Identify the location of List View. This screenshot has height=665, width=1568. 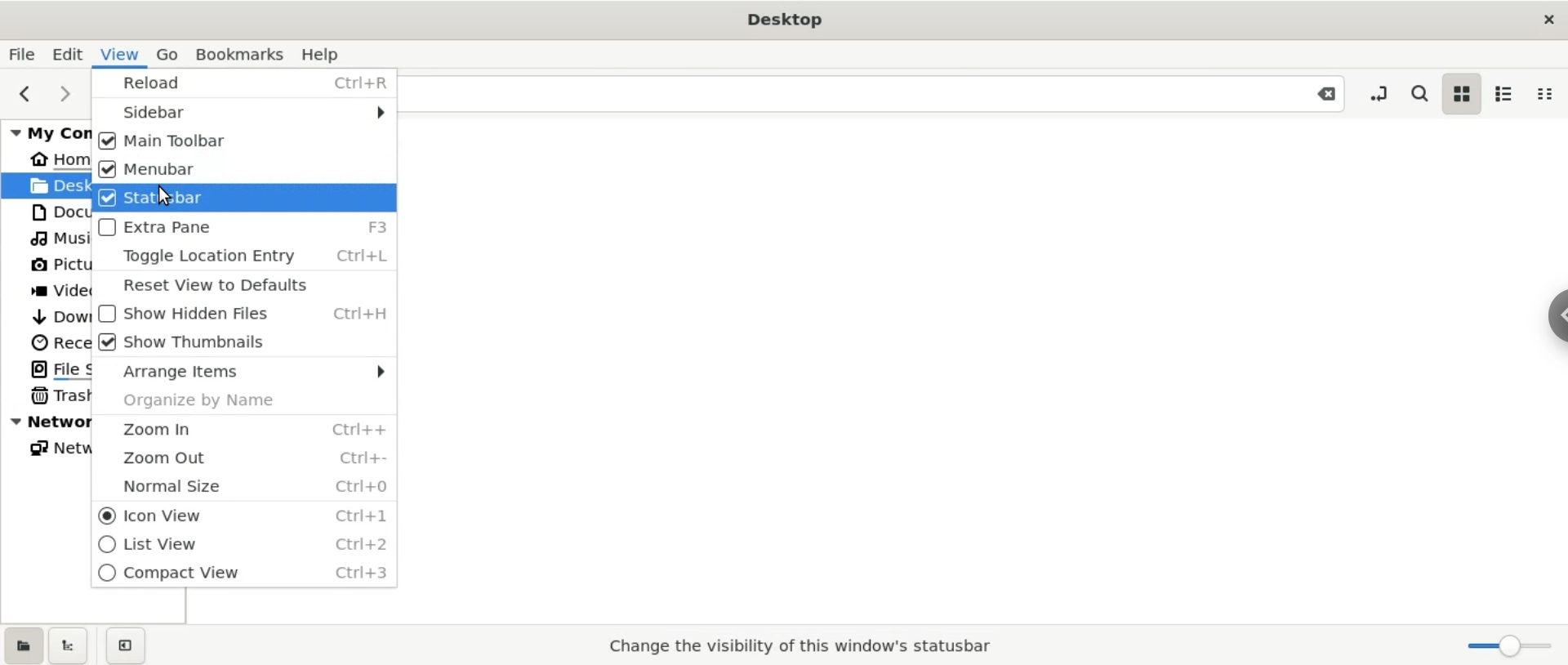
(245, 545).